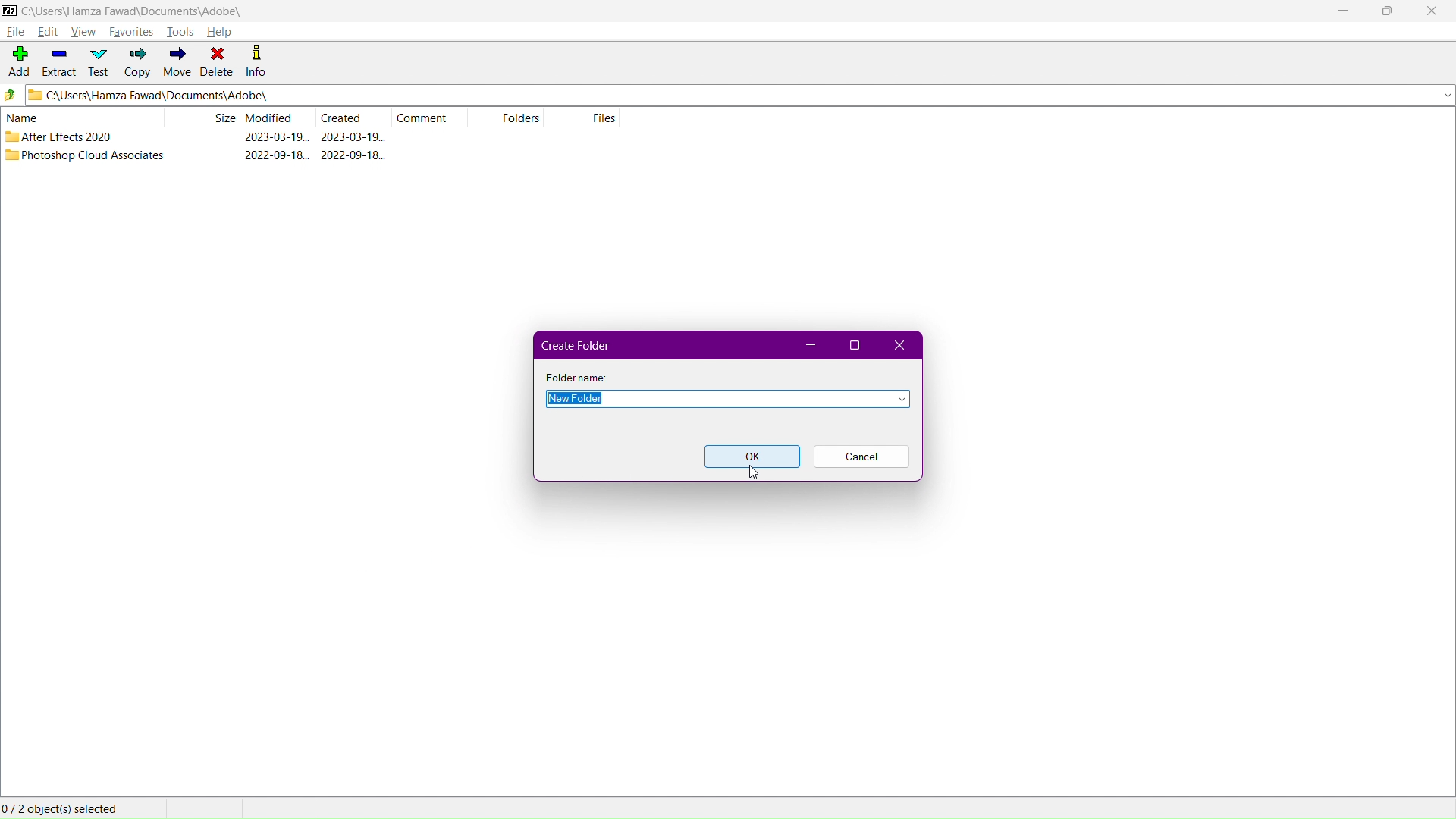 This screenshot has height=819, width=1456. What do you see at coordinates (753, 472) in the screenshot?
I see `cursor` at bounding box center [753, 472].